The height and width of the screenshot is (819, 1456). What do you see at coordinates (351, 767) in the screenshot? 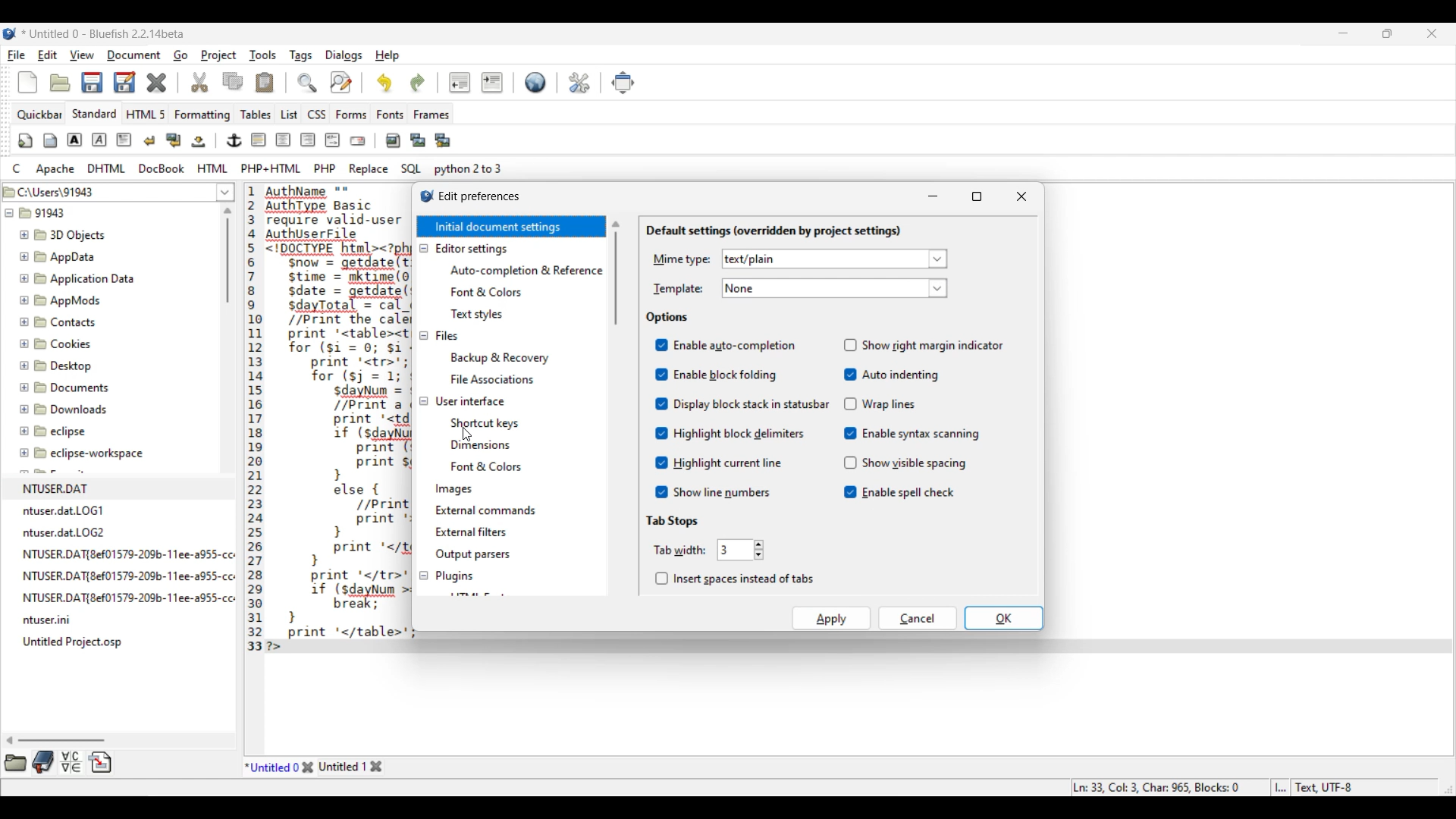
I see `Other tab` at bounding box center [351, 767].